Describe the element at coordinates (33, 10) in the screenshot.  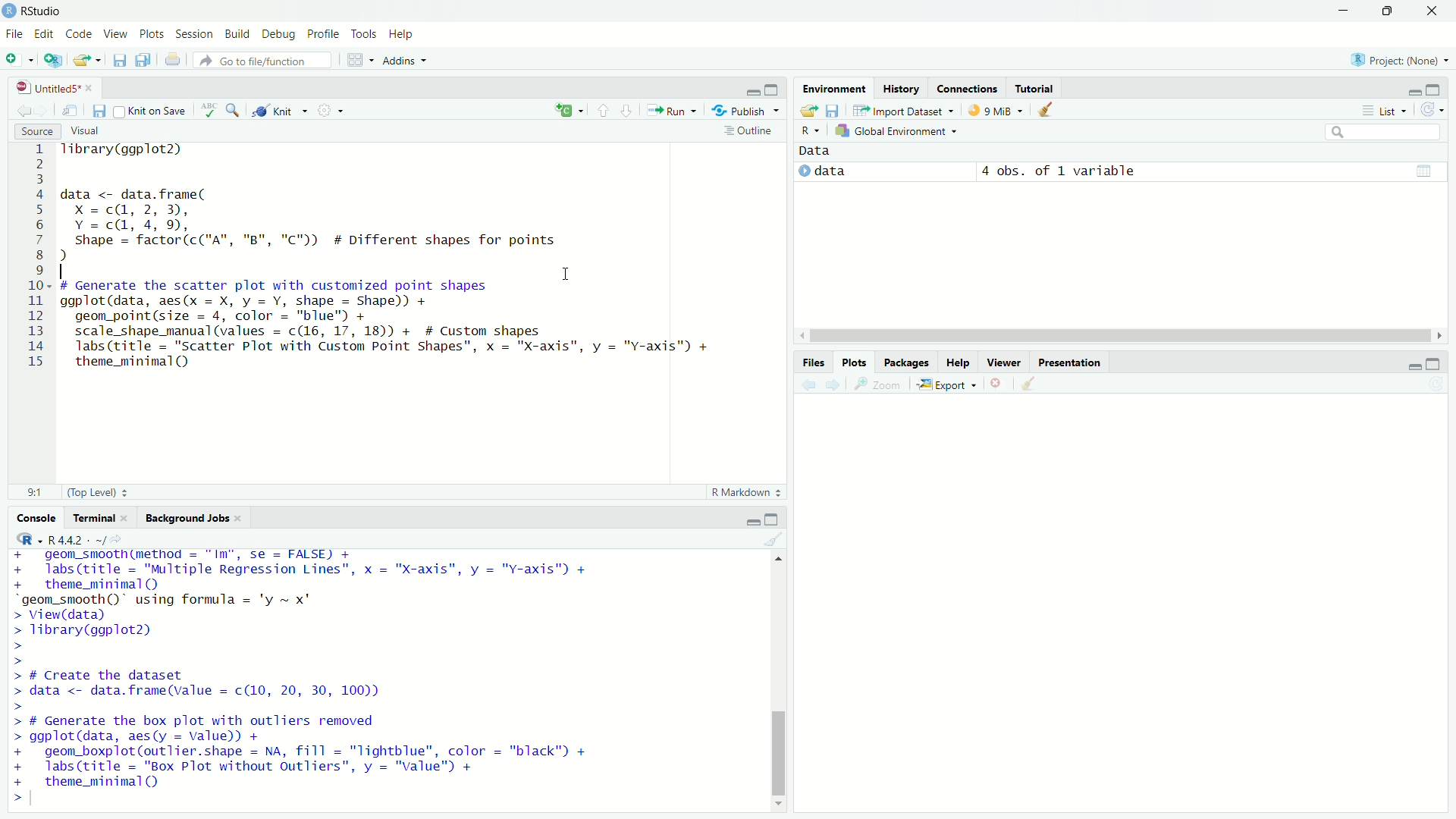
I see `RStudio` at that location.